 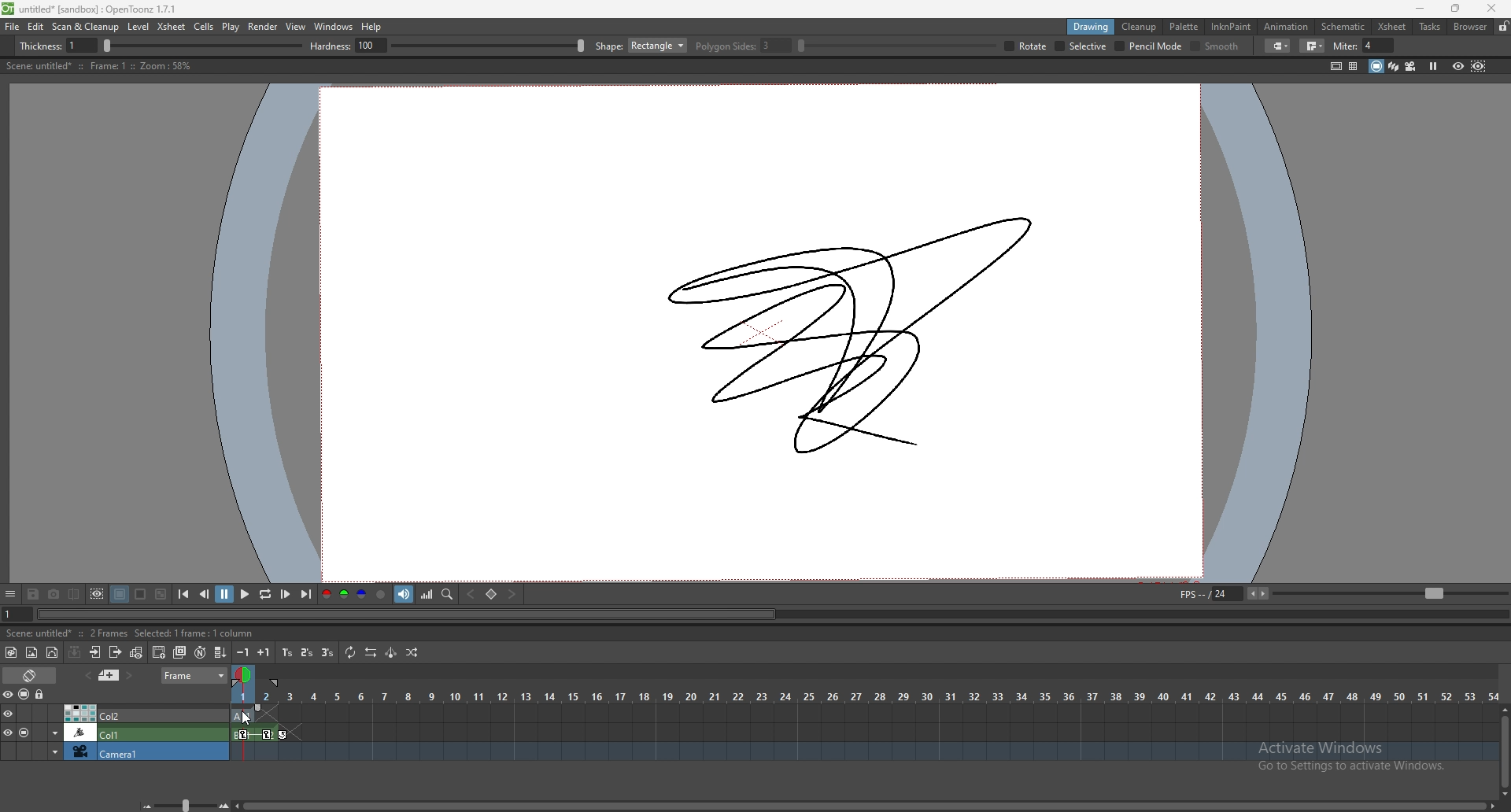 I want to click on field guide, so click(x=1354, y=66).